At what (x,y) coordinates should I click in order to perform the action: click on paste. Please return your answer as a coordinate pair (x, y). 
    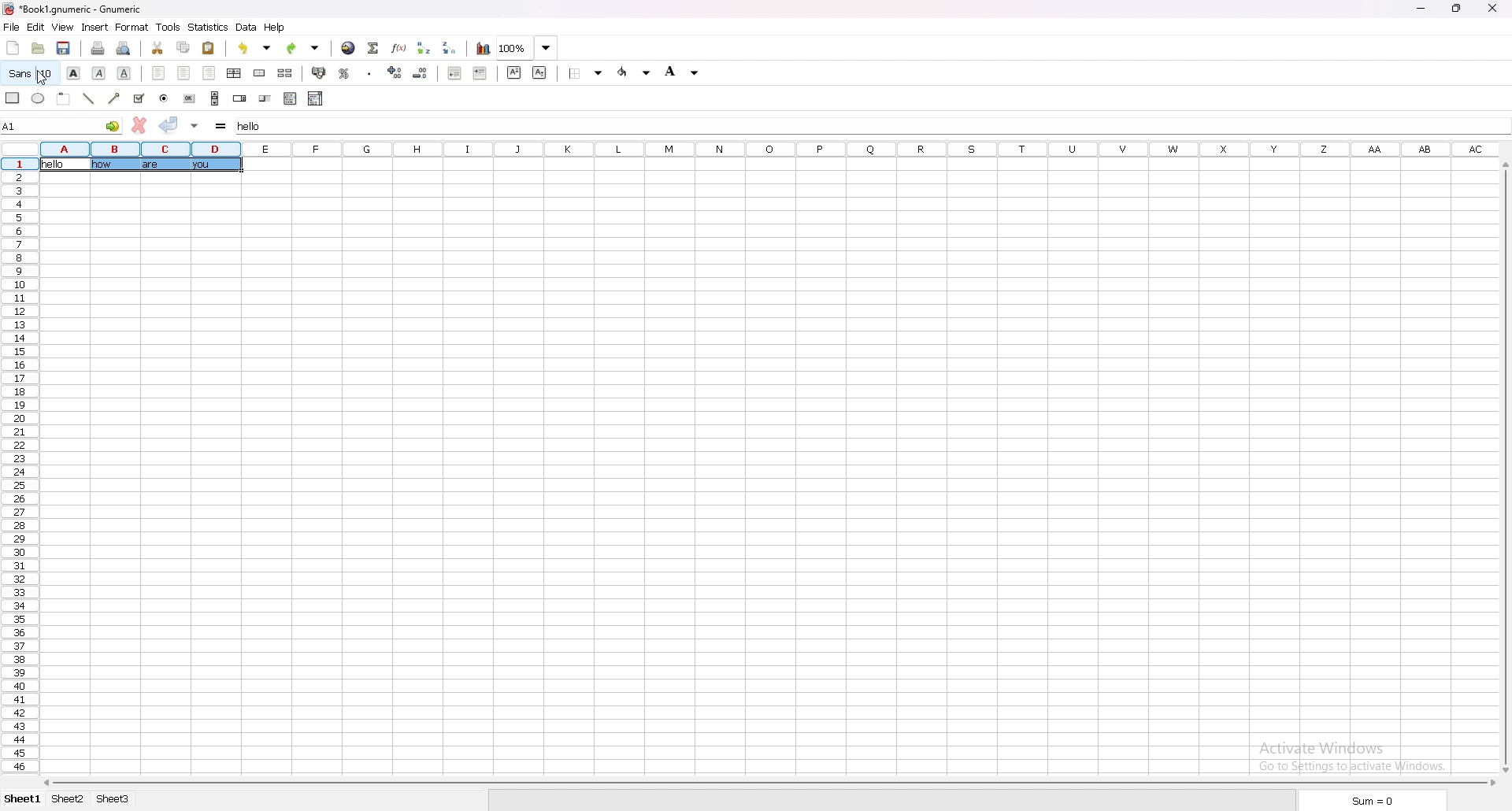
    Looking at the image, I should click on (209, 47).